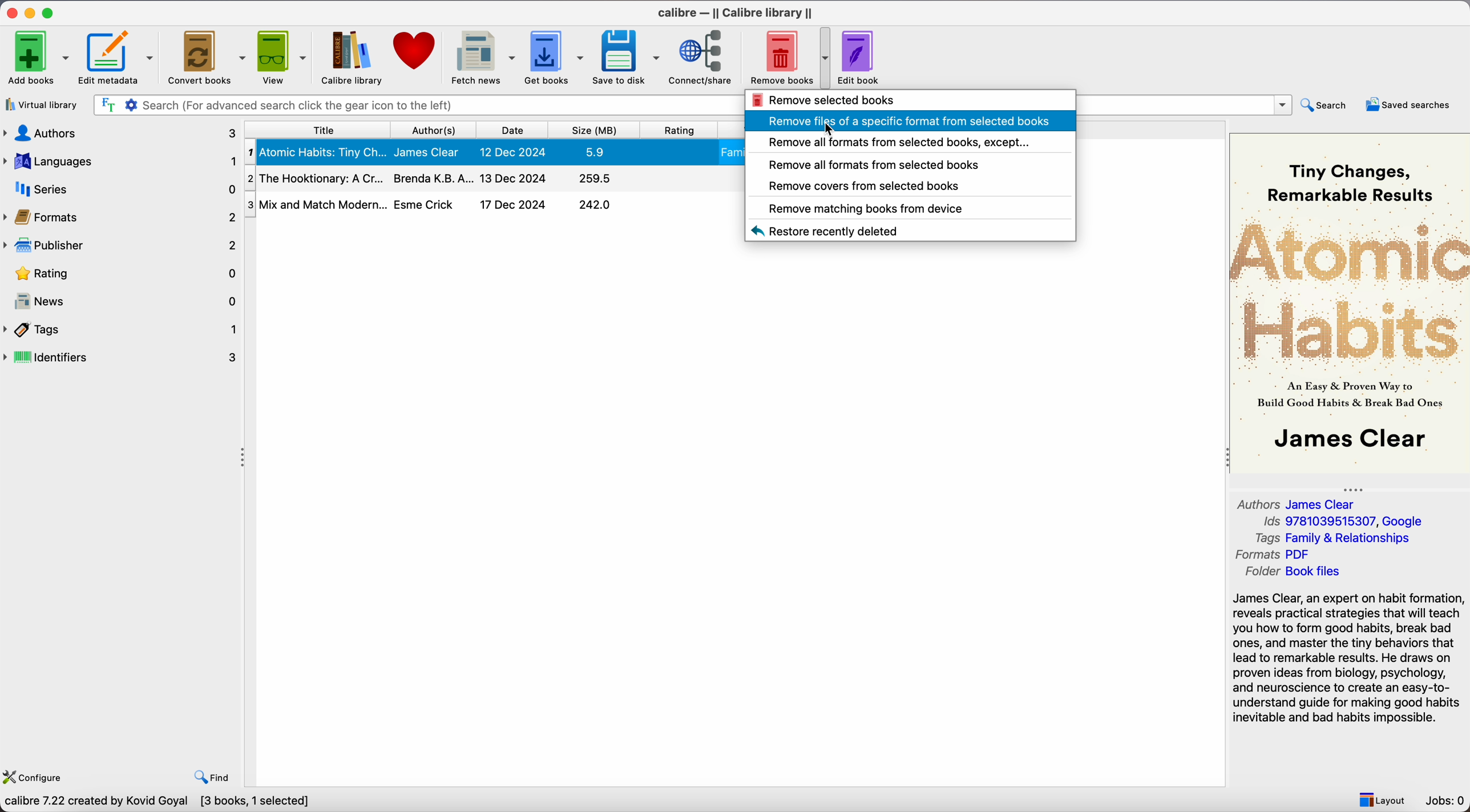  Describe the element at coordinates (120, 134) in the screenshot. I see `authors` at that location.